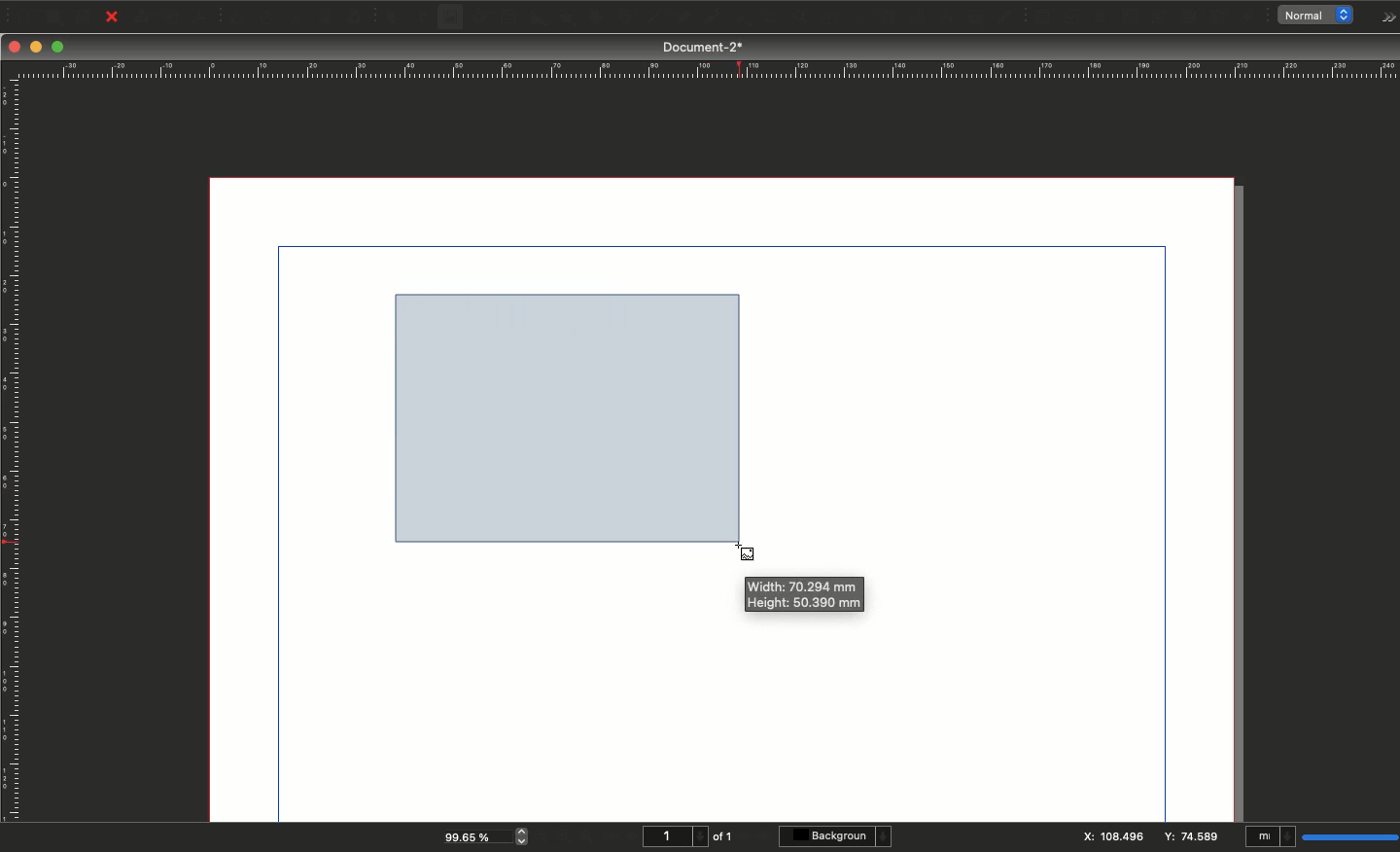  What do you see at coordinates (87, 16) in the screenshot?
I see `Save` at bounding box center [87, 16].